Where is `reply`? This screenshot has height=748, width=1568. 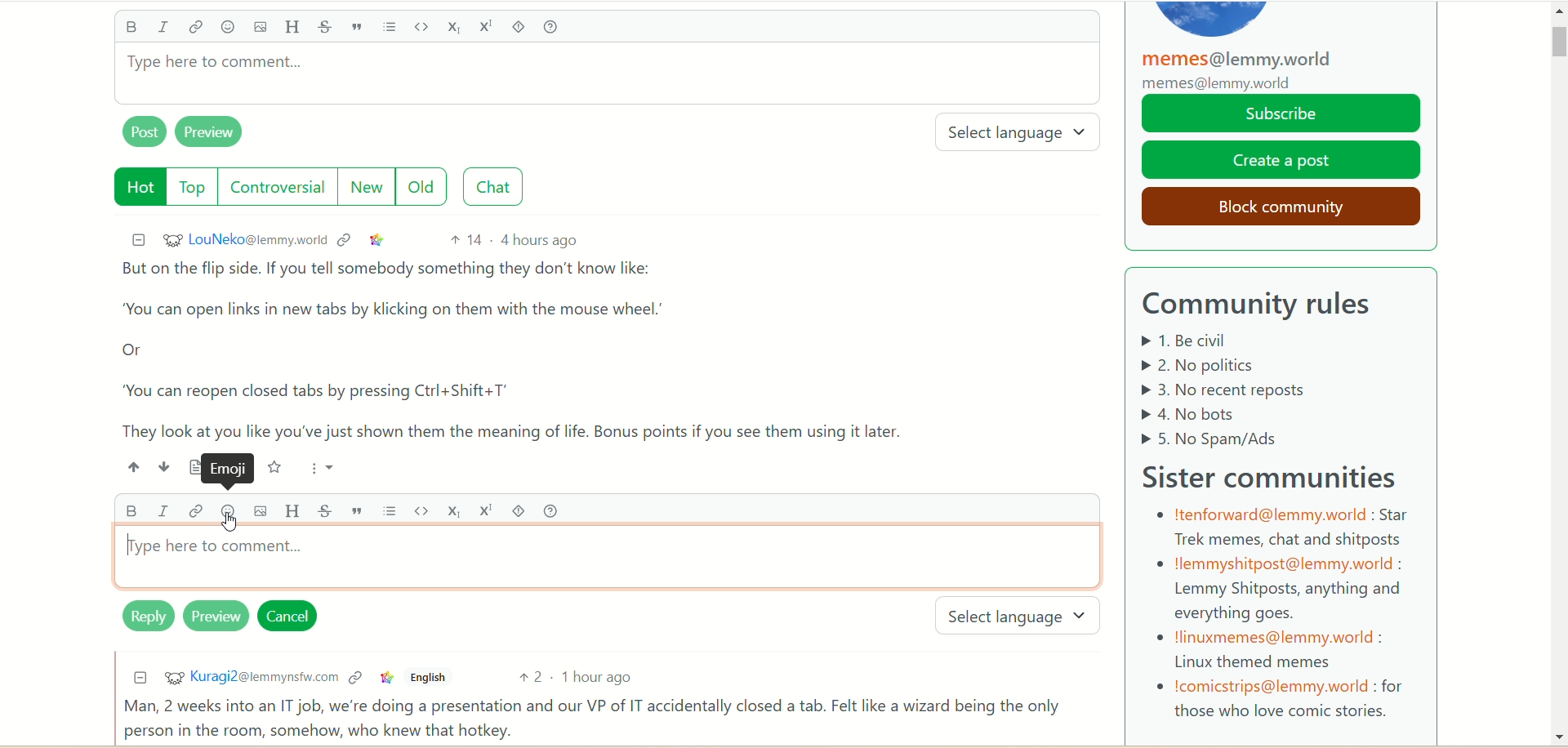
reply is located at coordinates (136, 620).